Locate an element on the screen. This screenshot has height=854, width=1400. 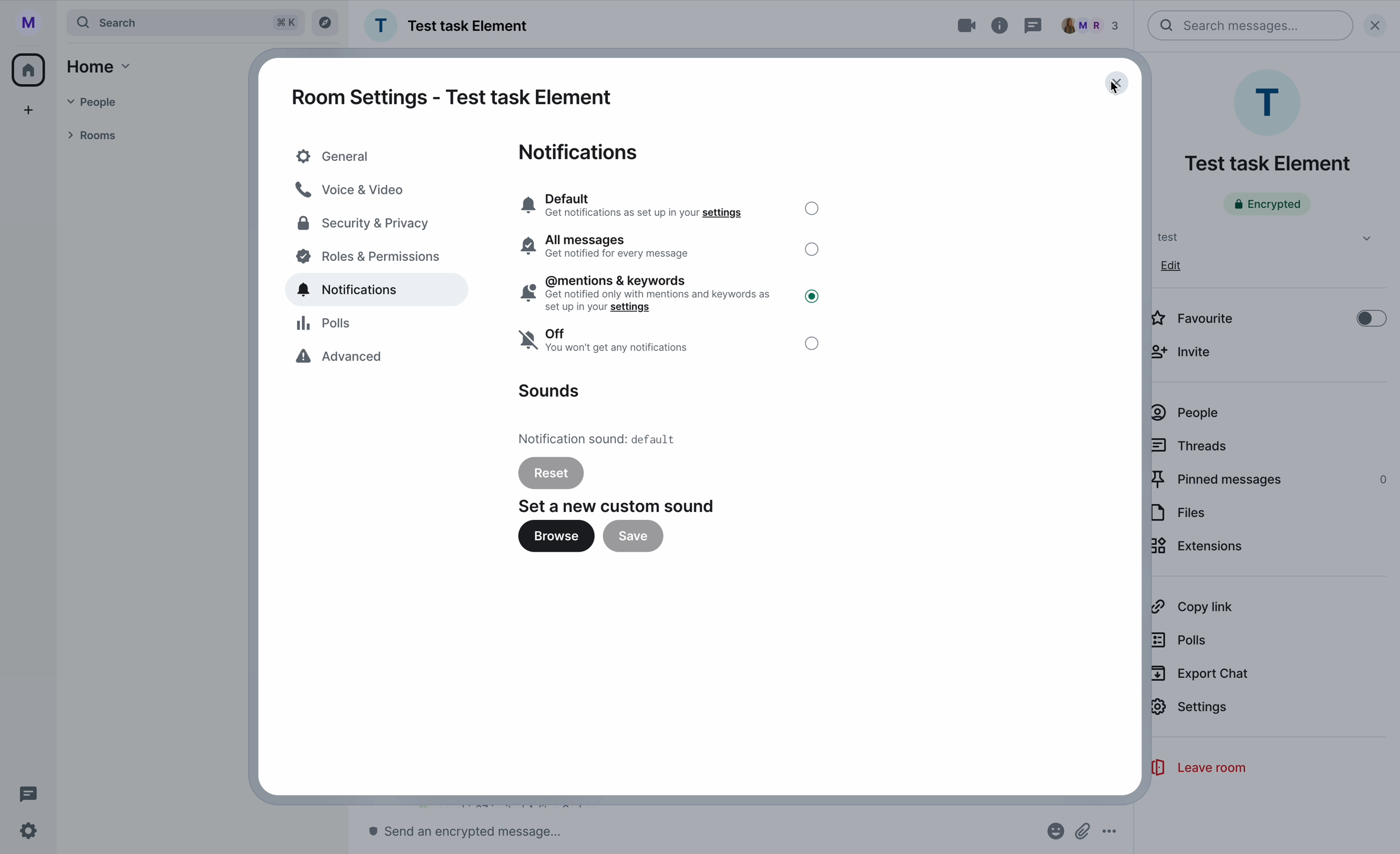
off is located at coordinates (670, 344).